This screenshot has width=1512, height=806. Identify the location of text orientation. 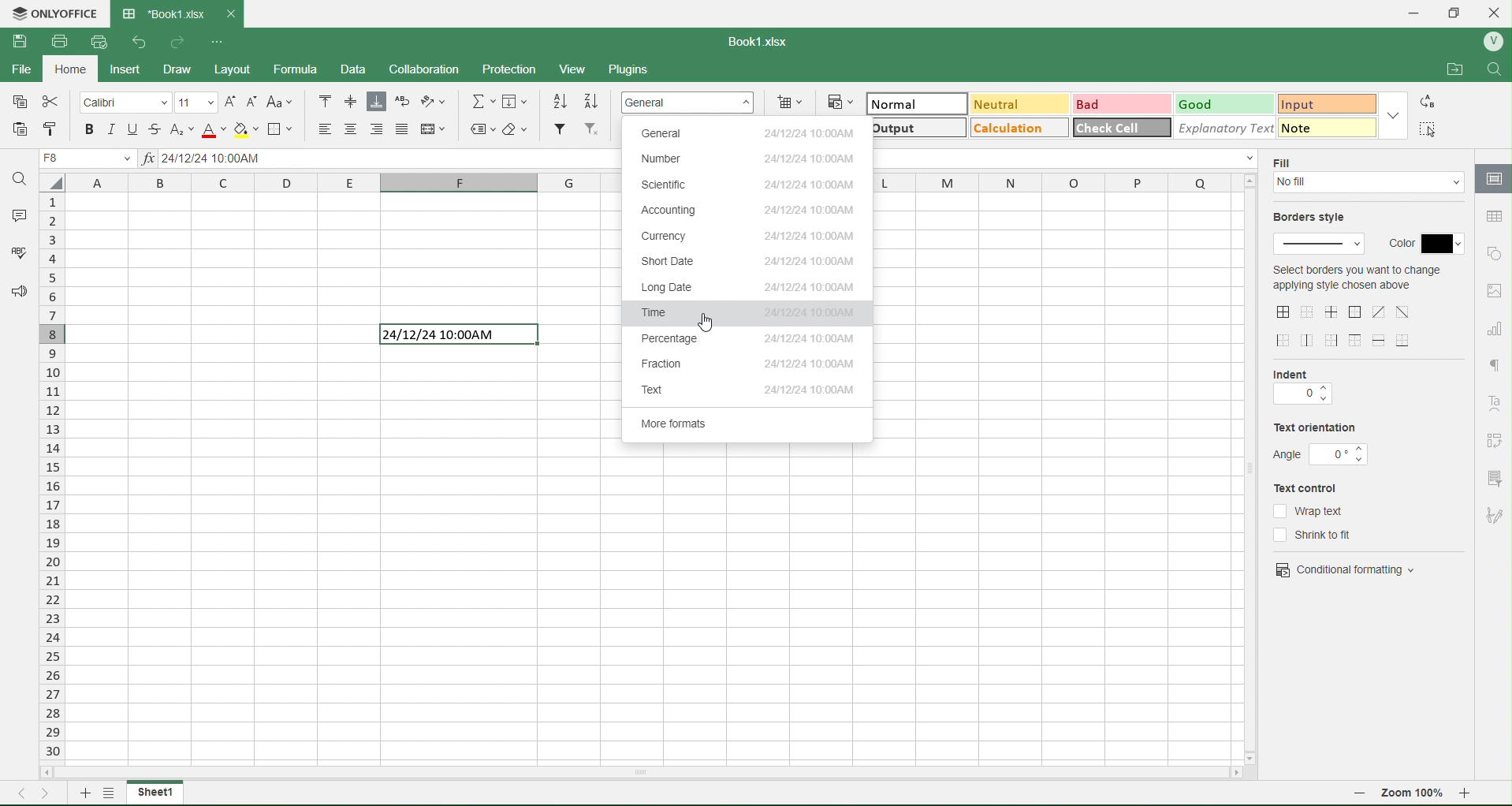
(1316, 429).